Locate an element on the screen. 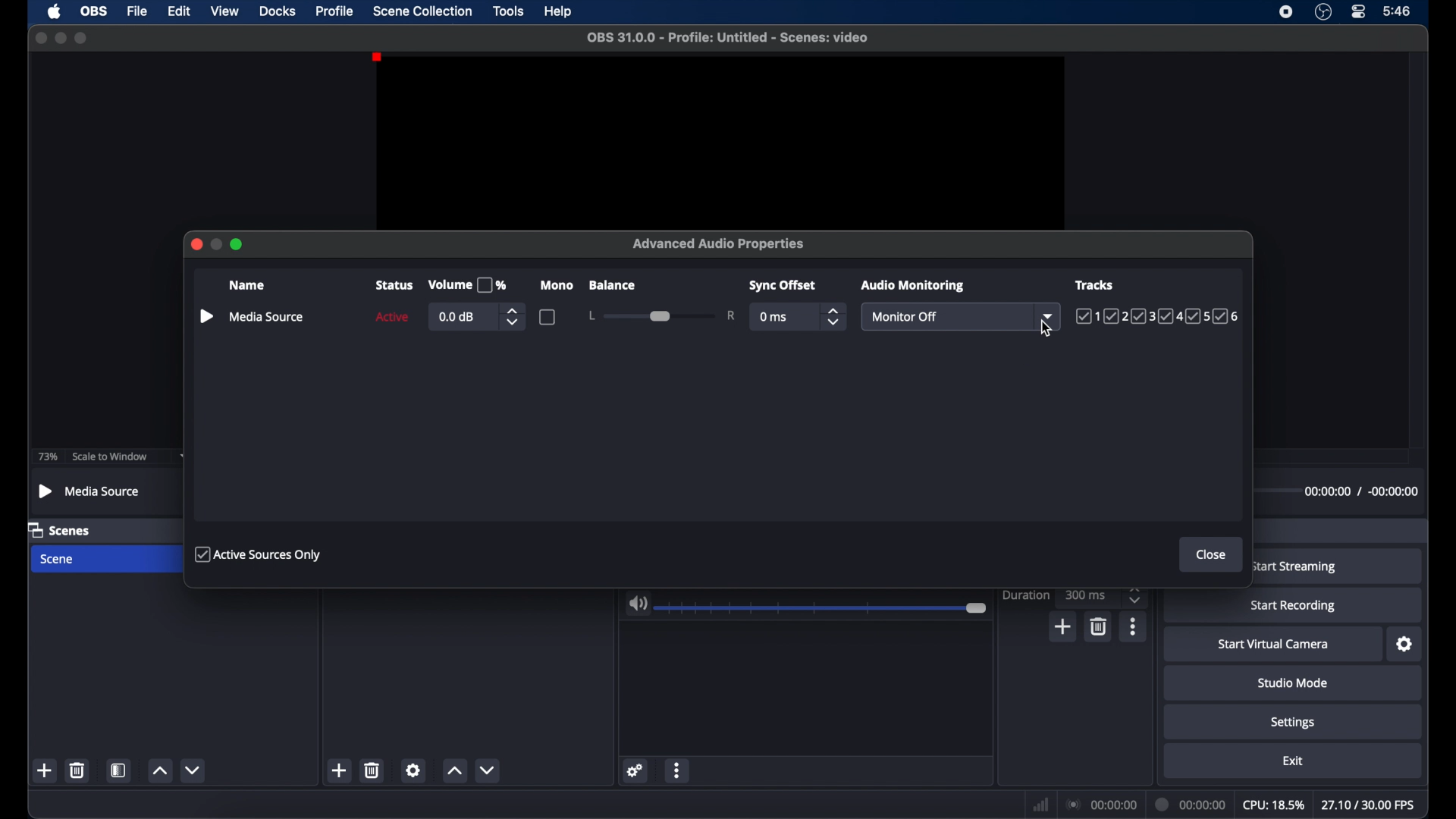  minimize is located at coordinates (217, 244).